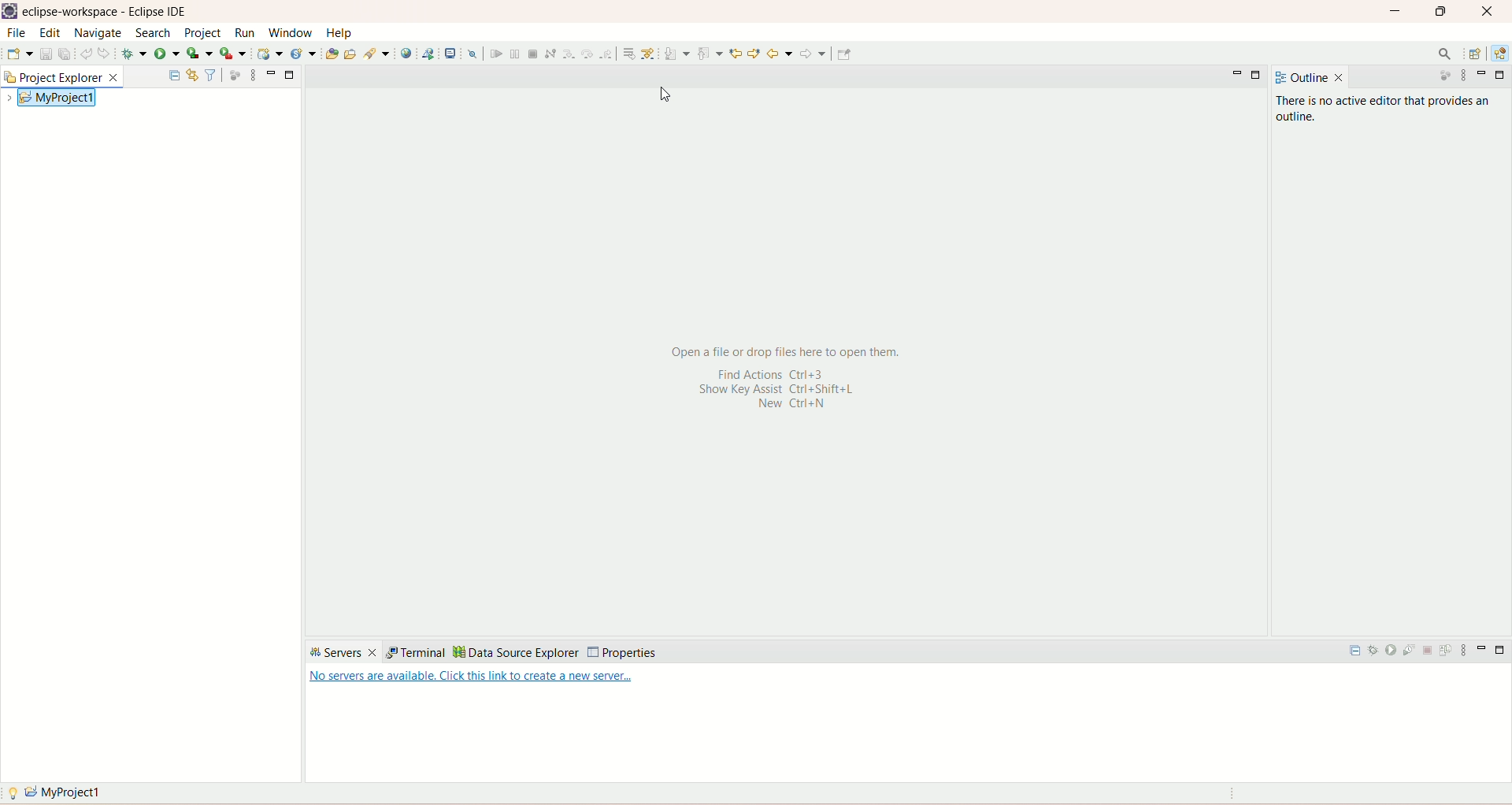  What do you see at coordinates (608, 53) in the screenshot?
I see `step return` at bounding box center [608, 53].